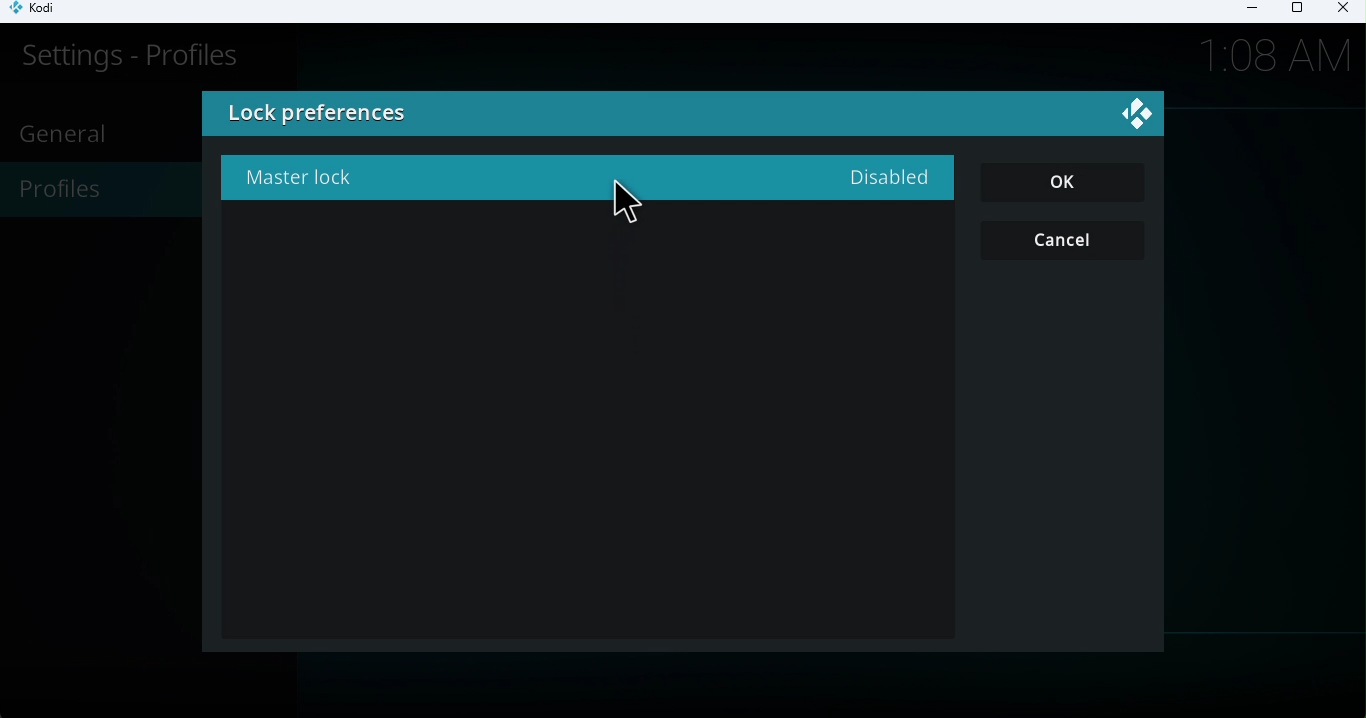  What do you see at coordinates (1140, 117) in the screenshot?
I see `Close` at bounding box center [1140, 117].